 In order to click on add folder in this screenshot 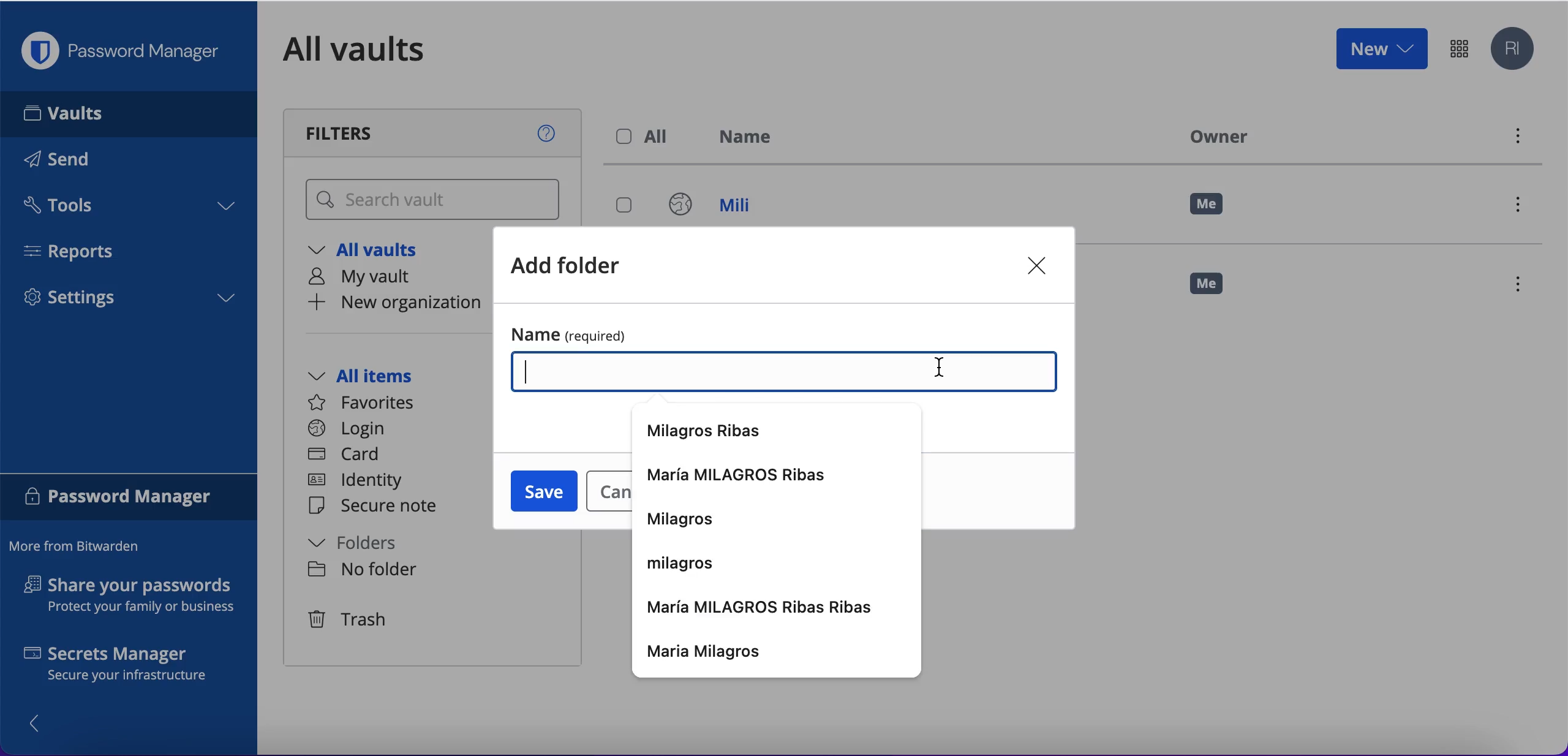, I will do `click(581, 268)`.